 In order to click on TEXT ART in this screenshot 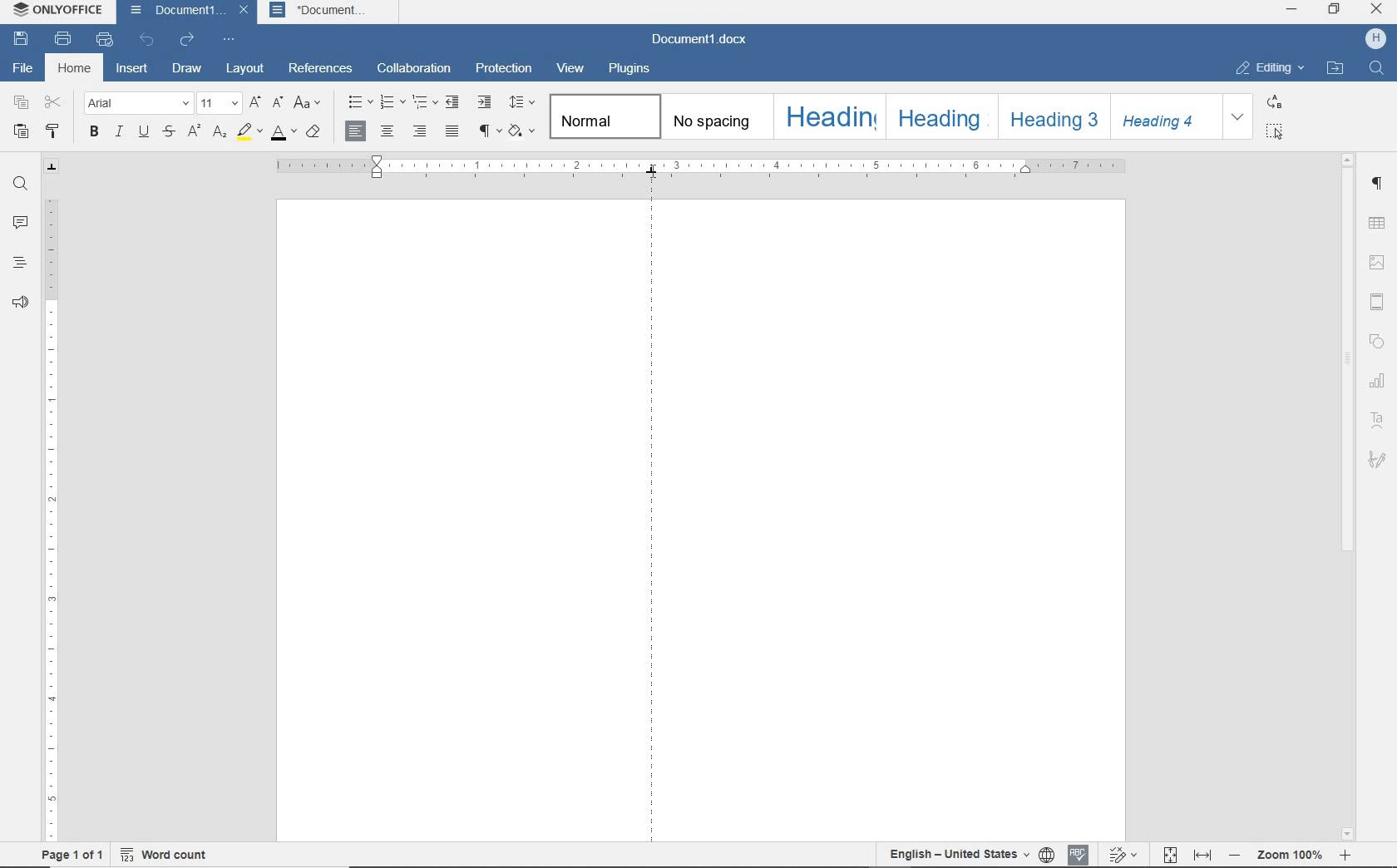, I will do `click(1378, 422)`.